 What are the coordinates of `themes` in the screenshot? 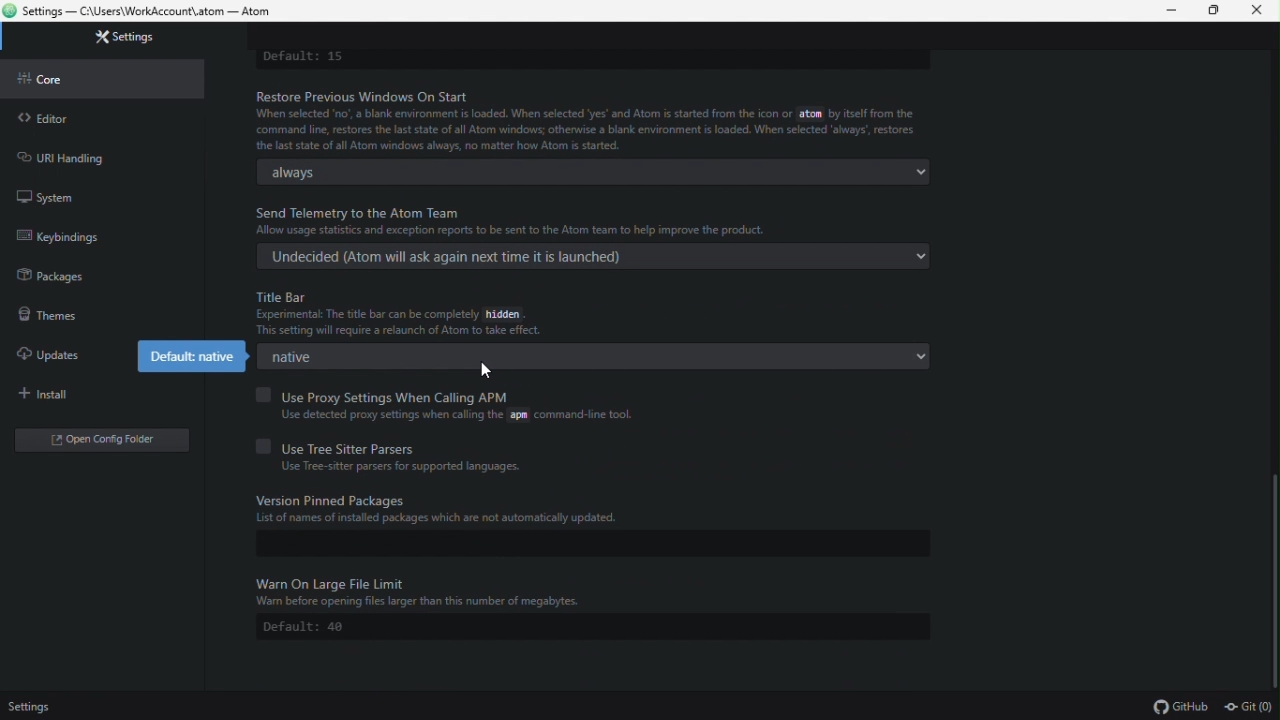 It's located at (100, 312).